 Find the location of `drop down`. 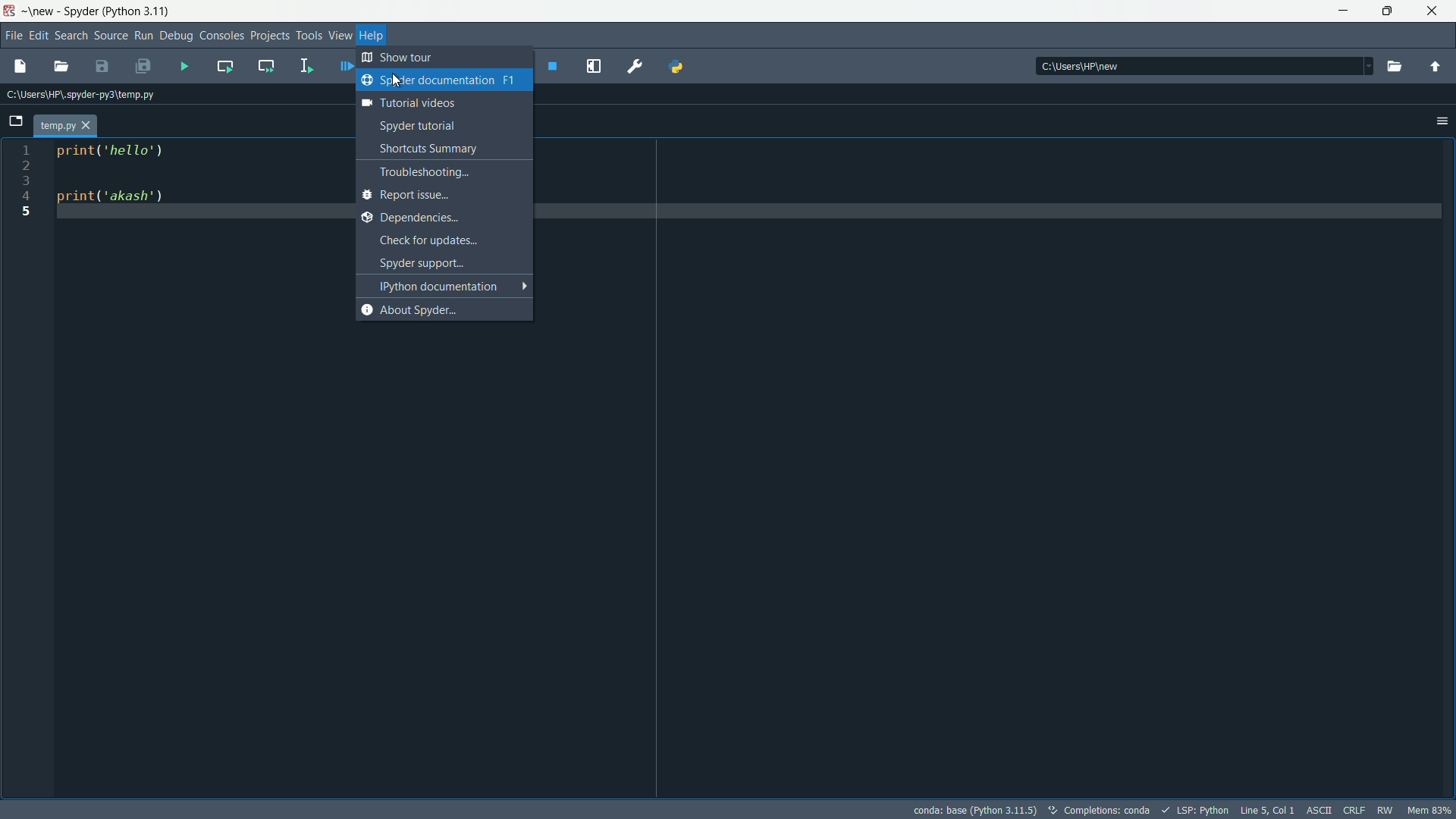

drop down is located at coordinates (1369, 67).